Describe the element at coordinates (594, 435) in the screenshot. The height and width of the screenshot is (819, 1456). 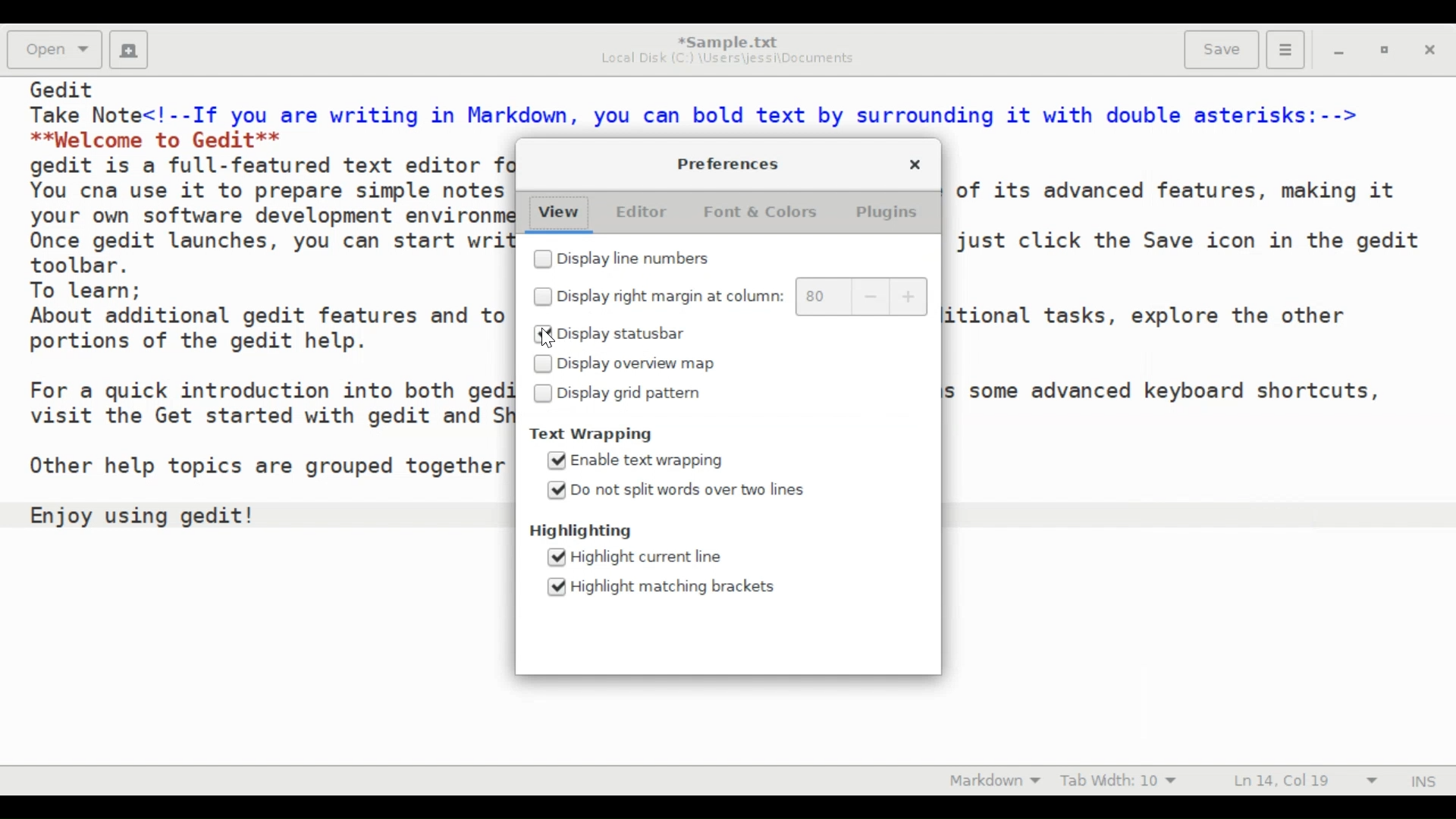
I see `Text Wrapping` at that location.